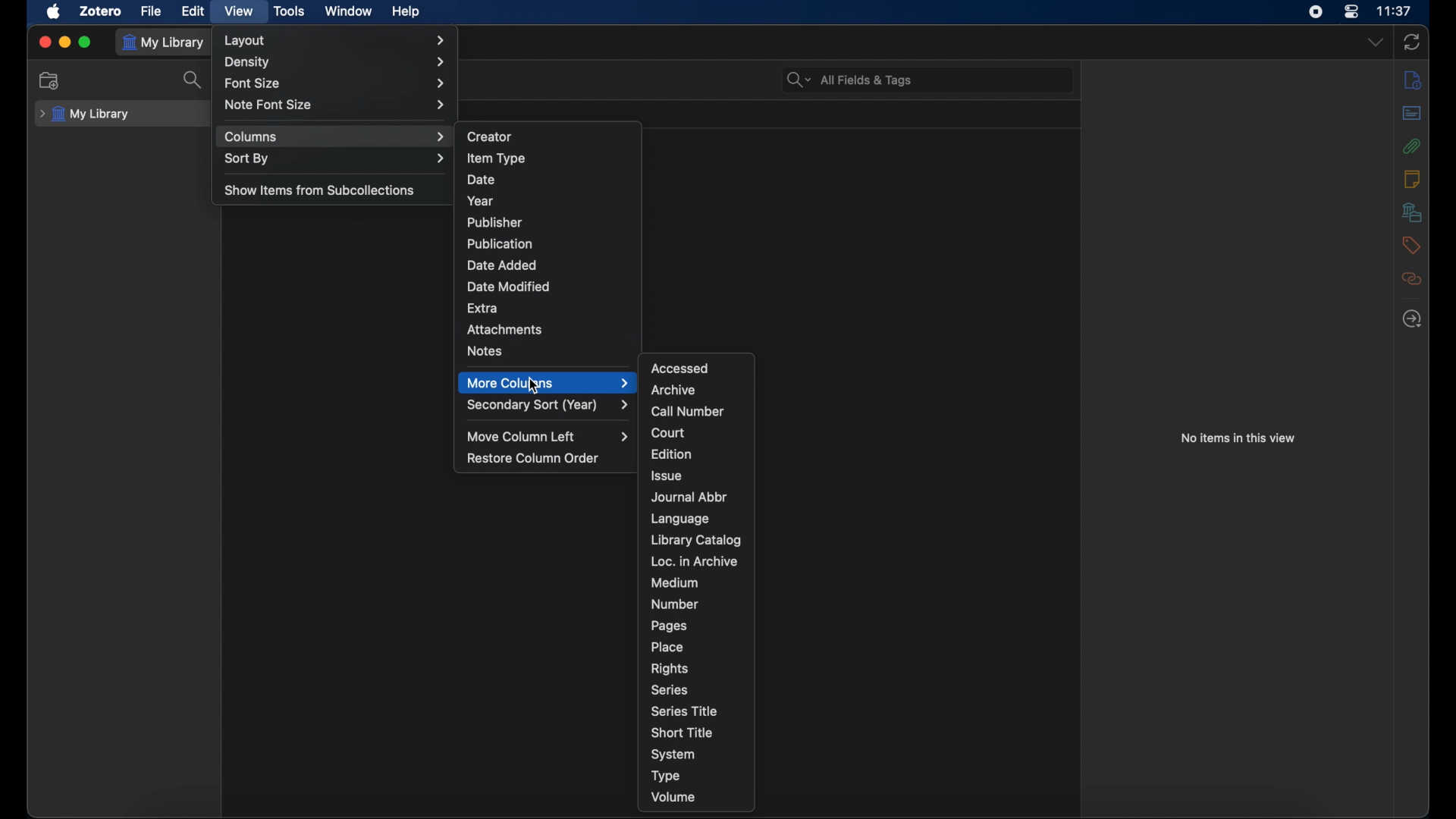 Image resolution: width=1456 pixels, height=819 pixels. I want to click on item type, so click(497, 158).